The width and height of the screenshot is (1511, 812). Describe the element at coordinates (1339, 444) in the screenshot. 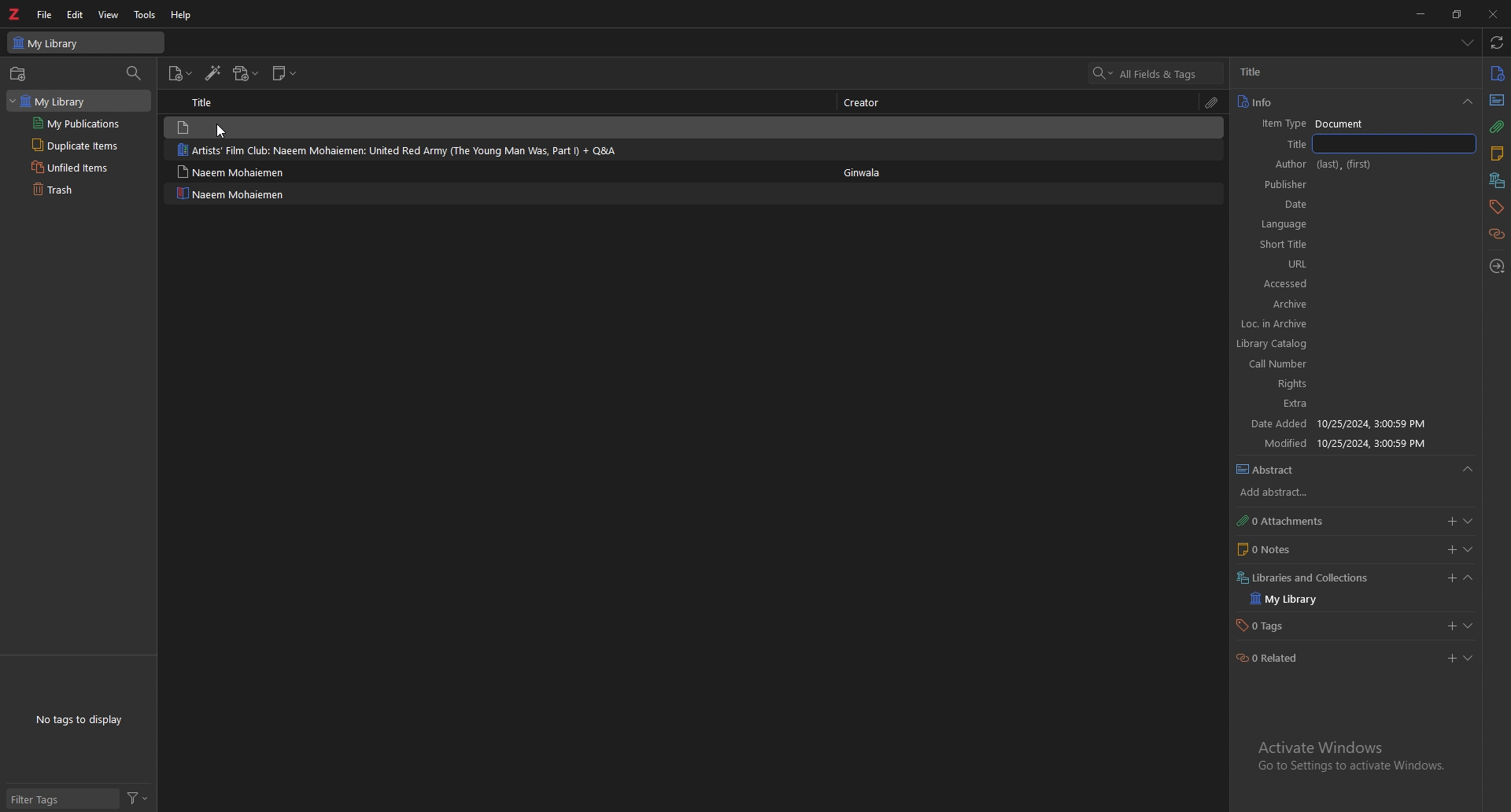

I see `accessed` at that location.